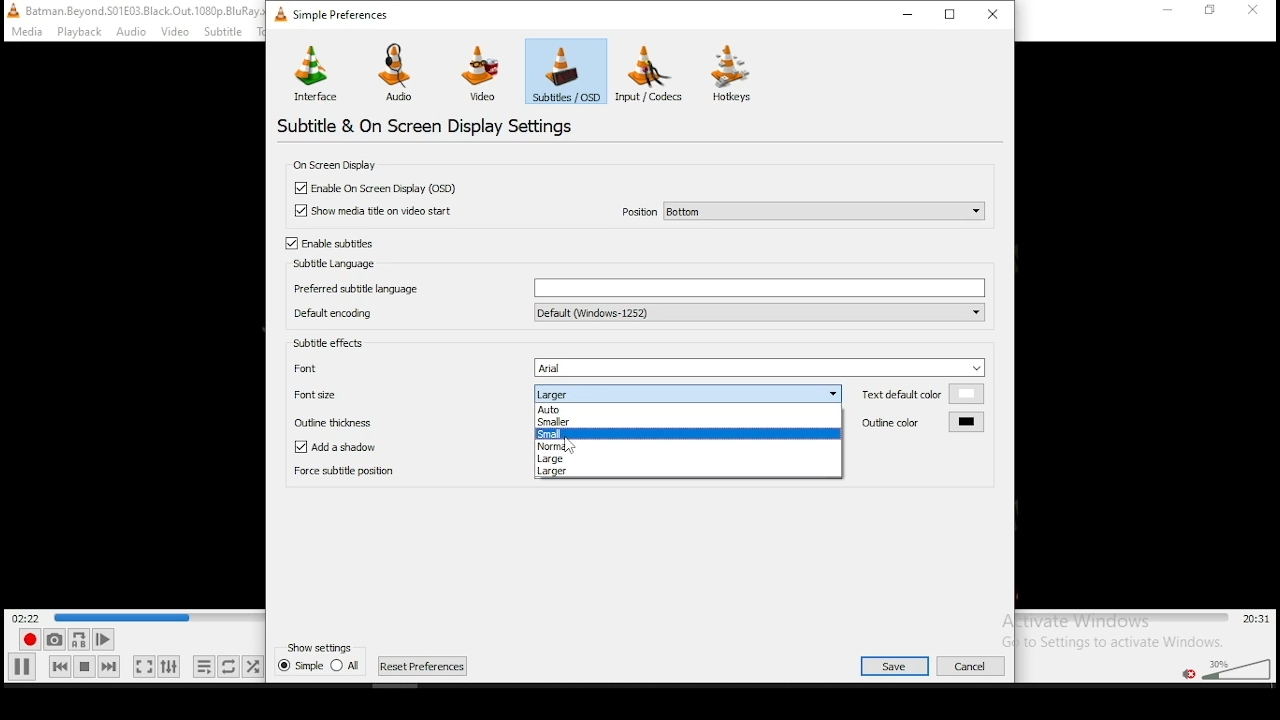 This screenshot has width=1280, height=720. What do you see at coordinates (923, 393) in the screenshot?
I see `text default color` at bounding box center [923, 393].